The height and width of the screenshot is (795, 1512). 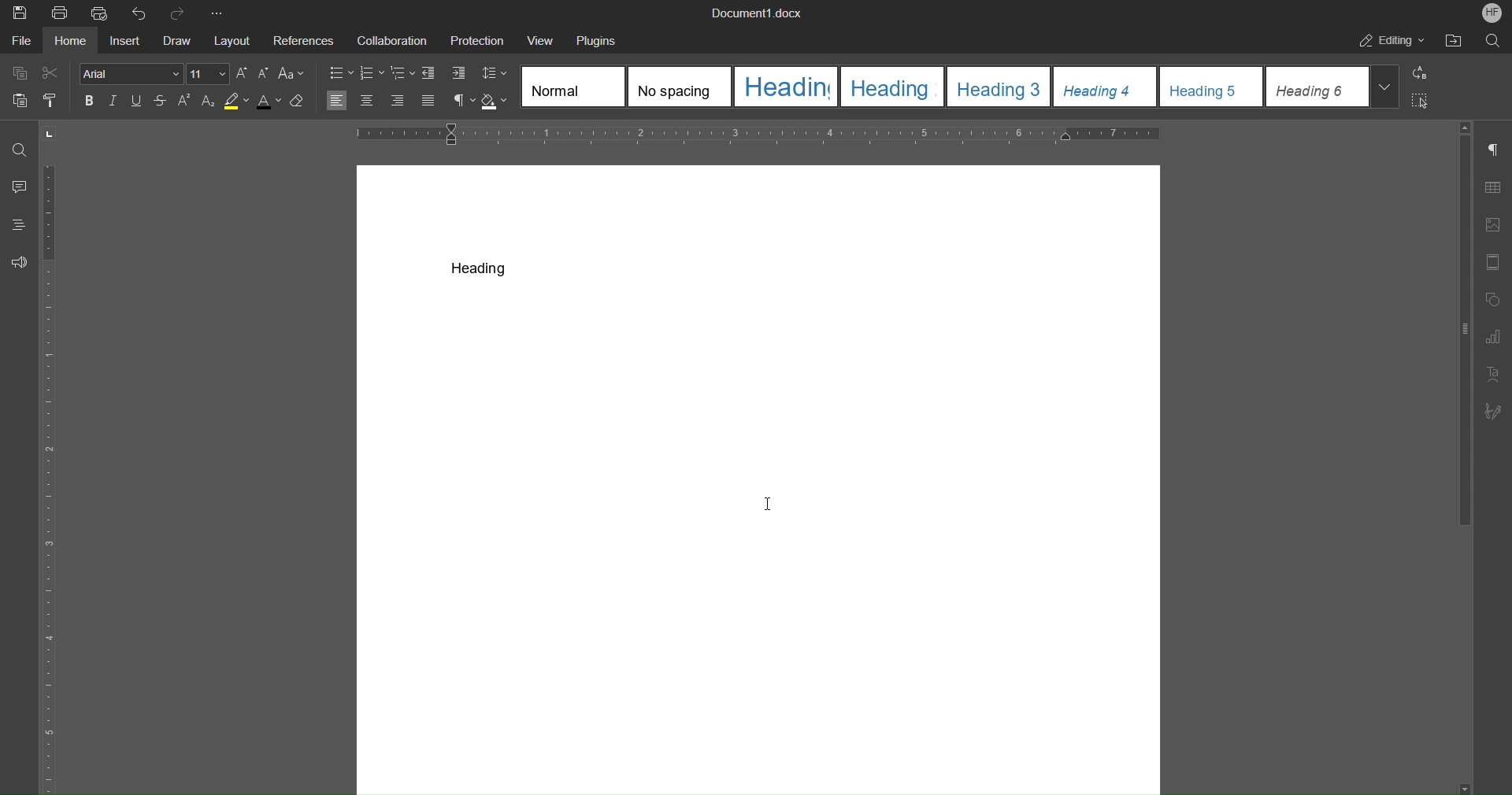 I want to click on No spacing, so click(x=680, y=85).